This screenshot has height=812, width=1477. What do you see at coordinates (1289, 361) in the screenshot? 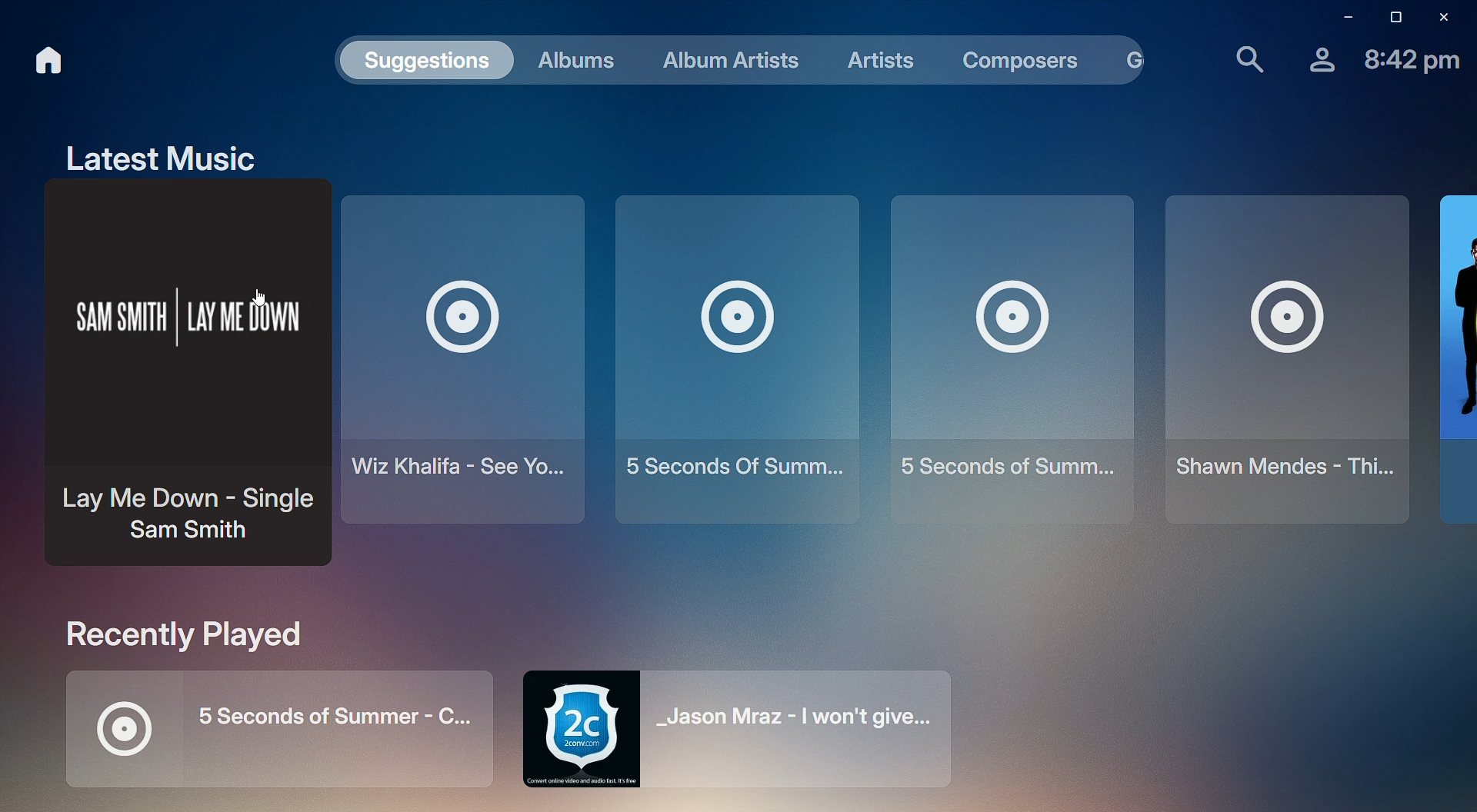
I see `Shawn Mendes` at bounding box center [1289, 361].